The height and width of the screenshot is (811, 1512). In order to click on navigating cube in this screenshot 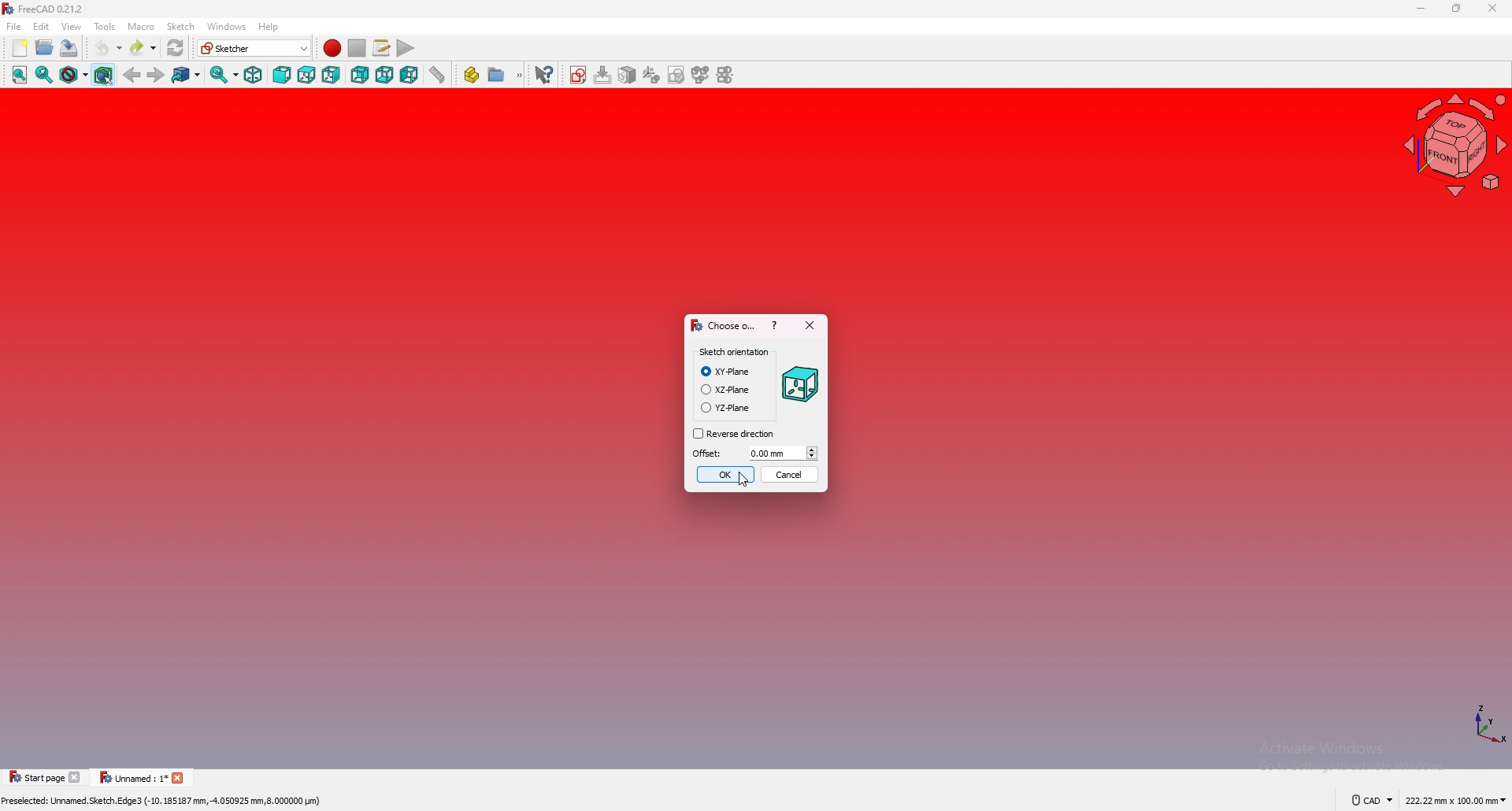, I will do `click(1458, 144)`.